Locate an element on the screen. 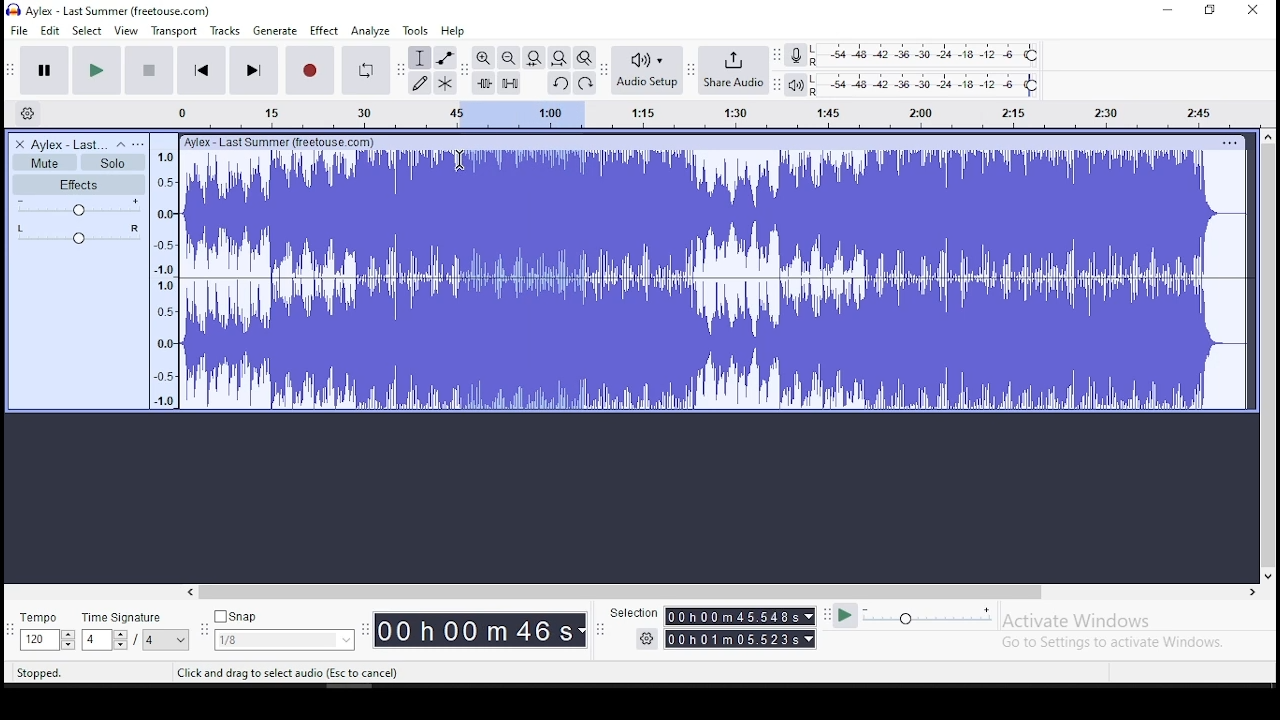 This screenshot has width=1280, height=720. record is located at coordinates (312, 70).